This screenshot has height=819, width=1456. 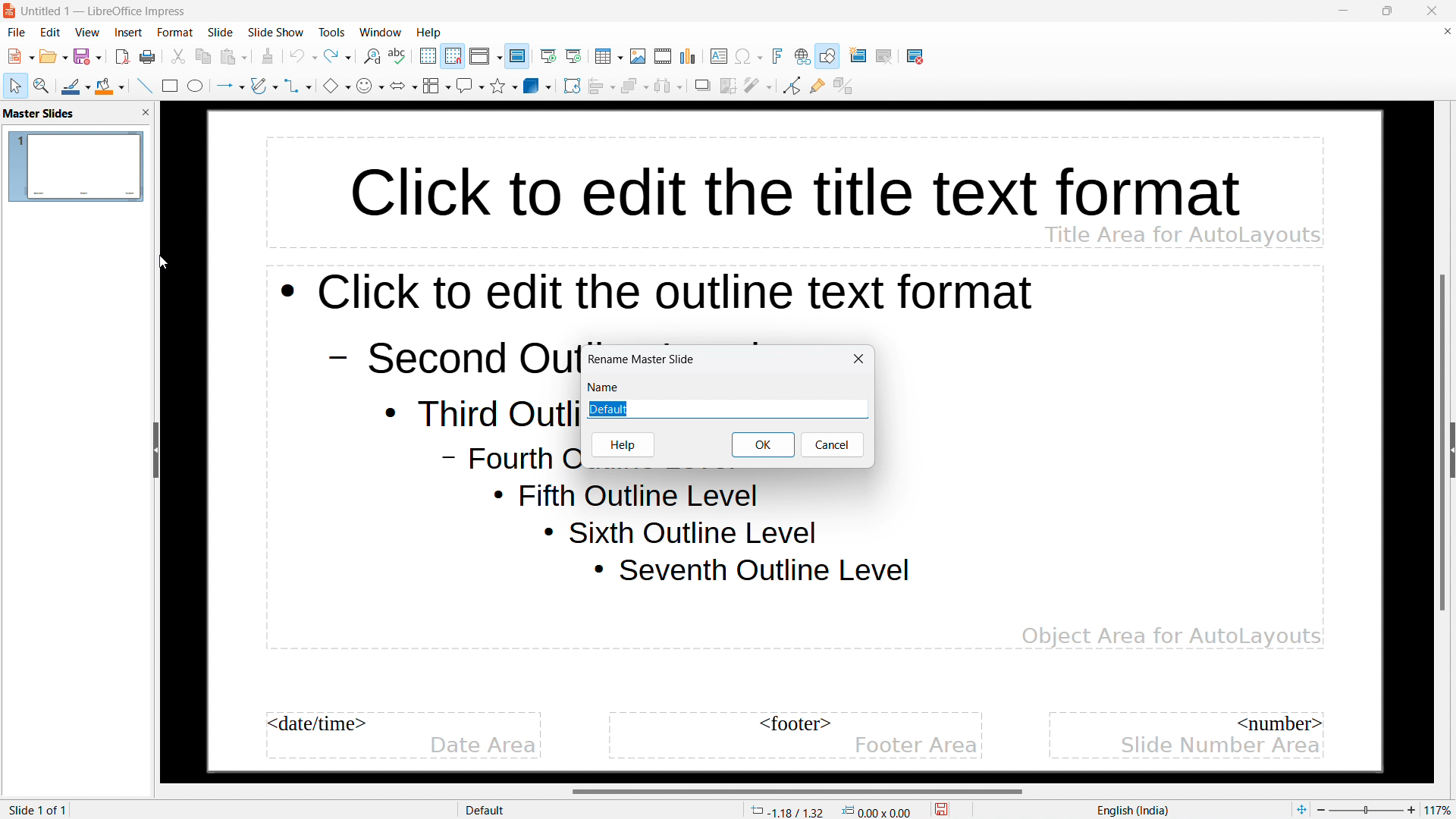 What do you see at coordinates (372, 57) in the screenshot?
I see `find and replace` at bounding box center [372, 57].